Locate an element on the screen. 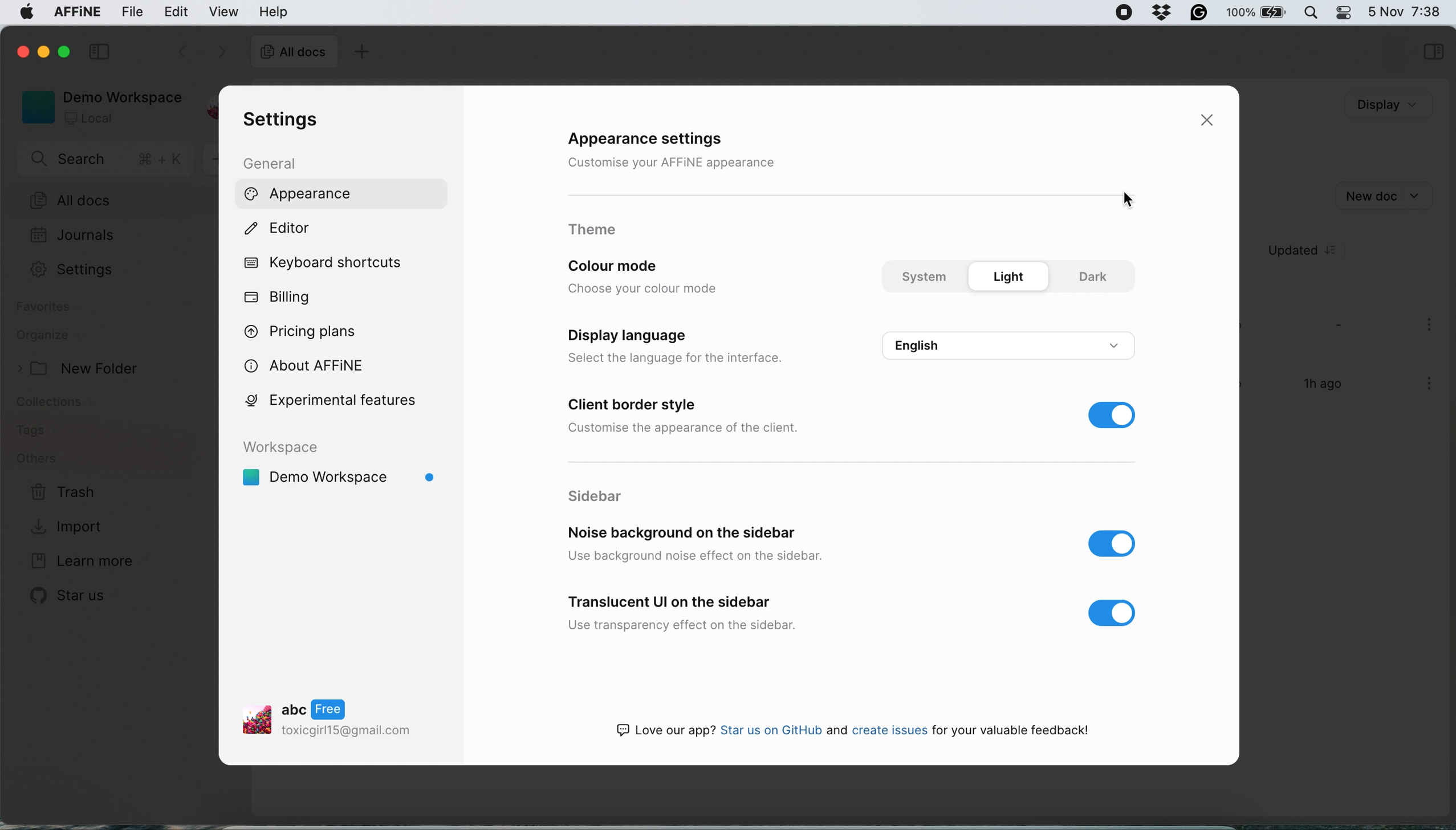 Image resolution: width=1456 pixels, height=830 pixels. systen is located at coordinates (928, 278).